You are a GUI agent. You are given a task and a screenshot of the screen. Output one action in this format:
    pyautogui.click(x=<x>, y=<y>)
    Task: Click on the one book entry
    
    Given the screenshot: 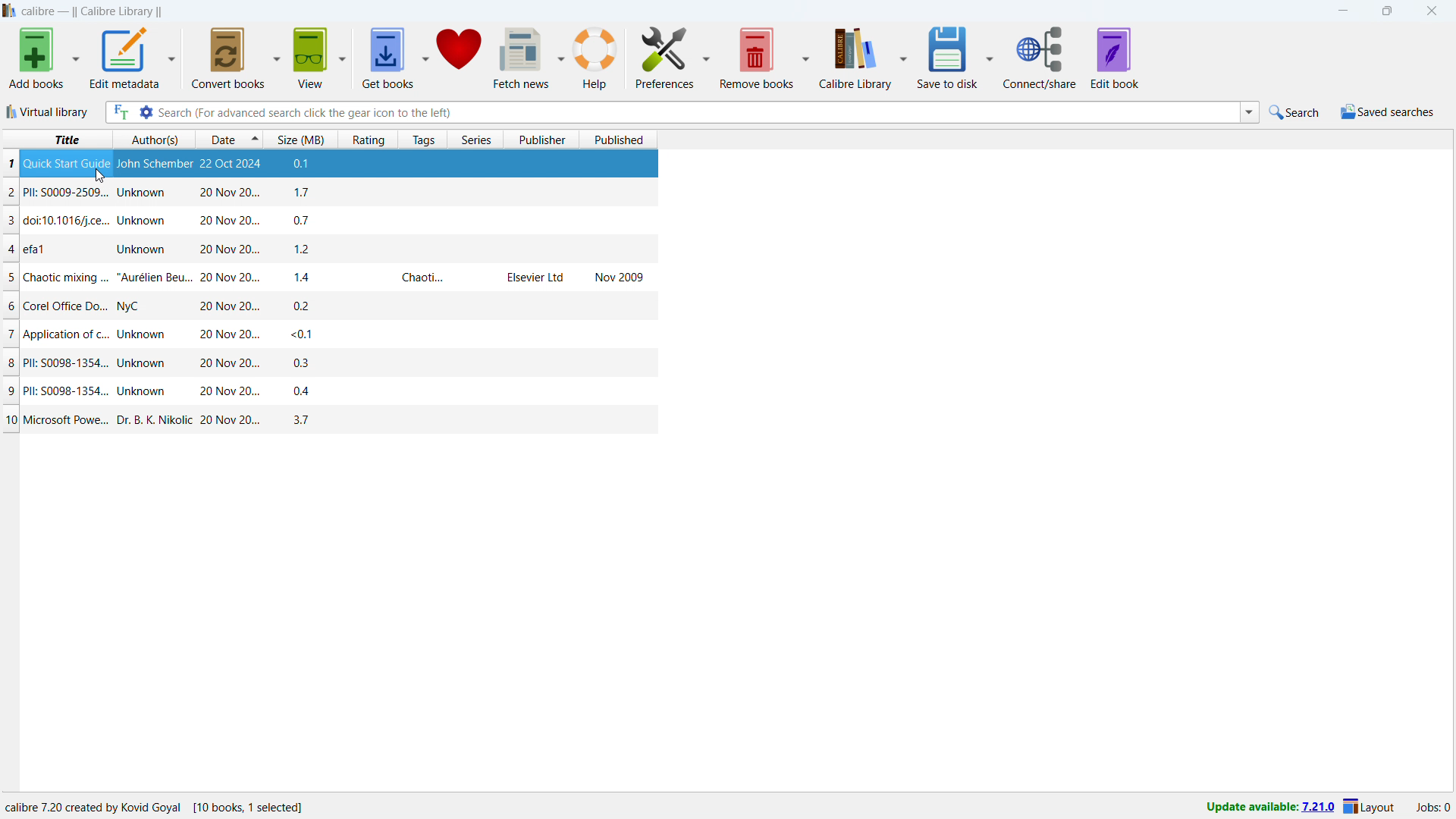 What is the action you would take?
    pyautogui.click(x=326, y=306)
    